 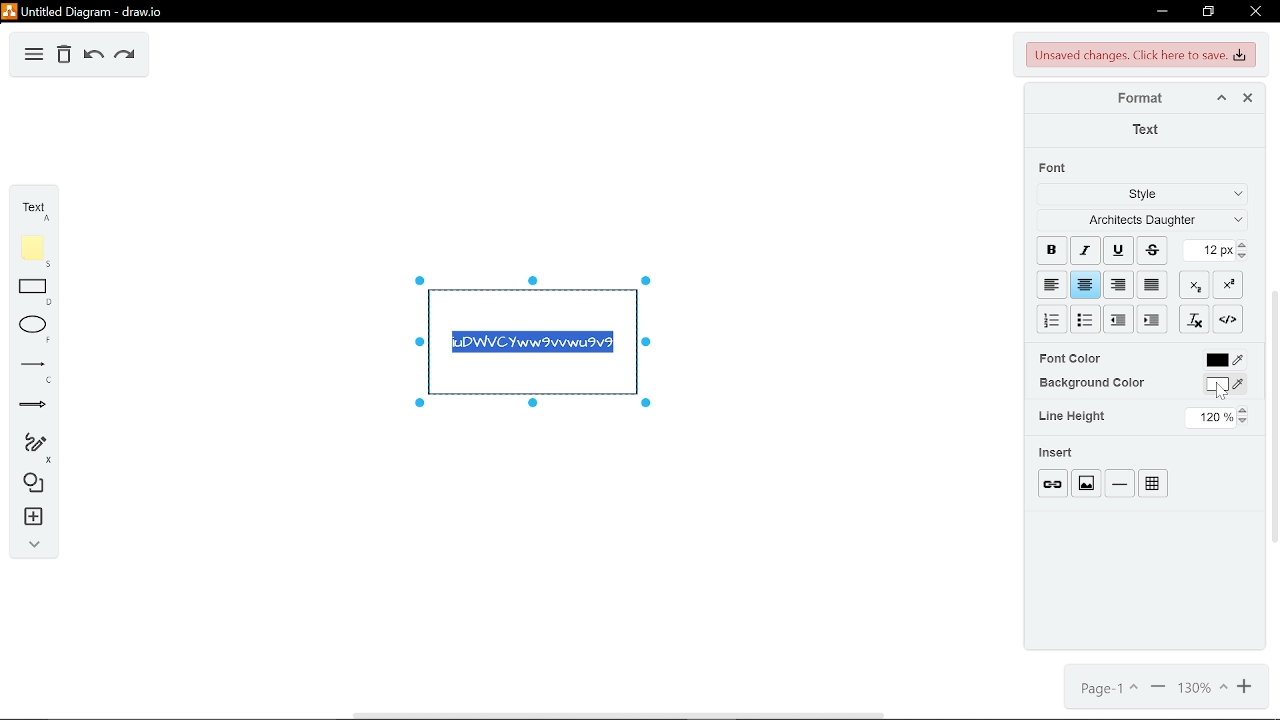 I want to click on current text size, so click(x=1210, y=250).